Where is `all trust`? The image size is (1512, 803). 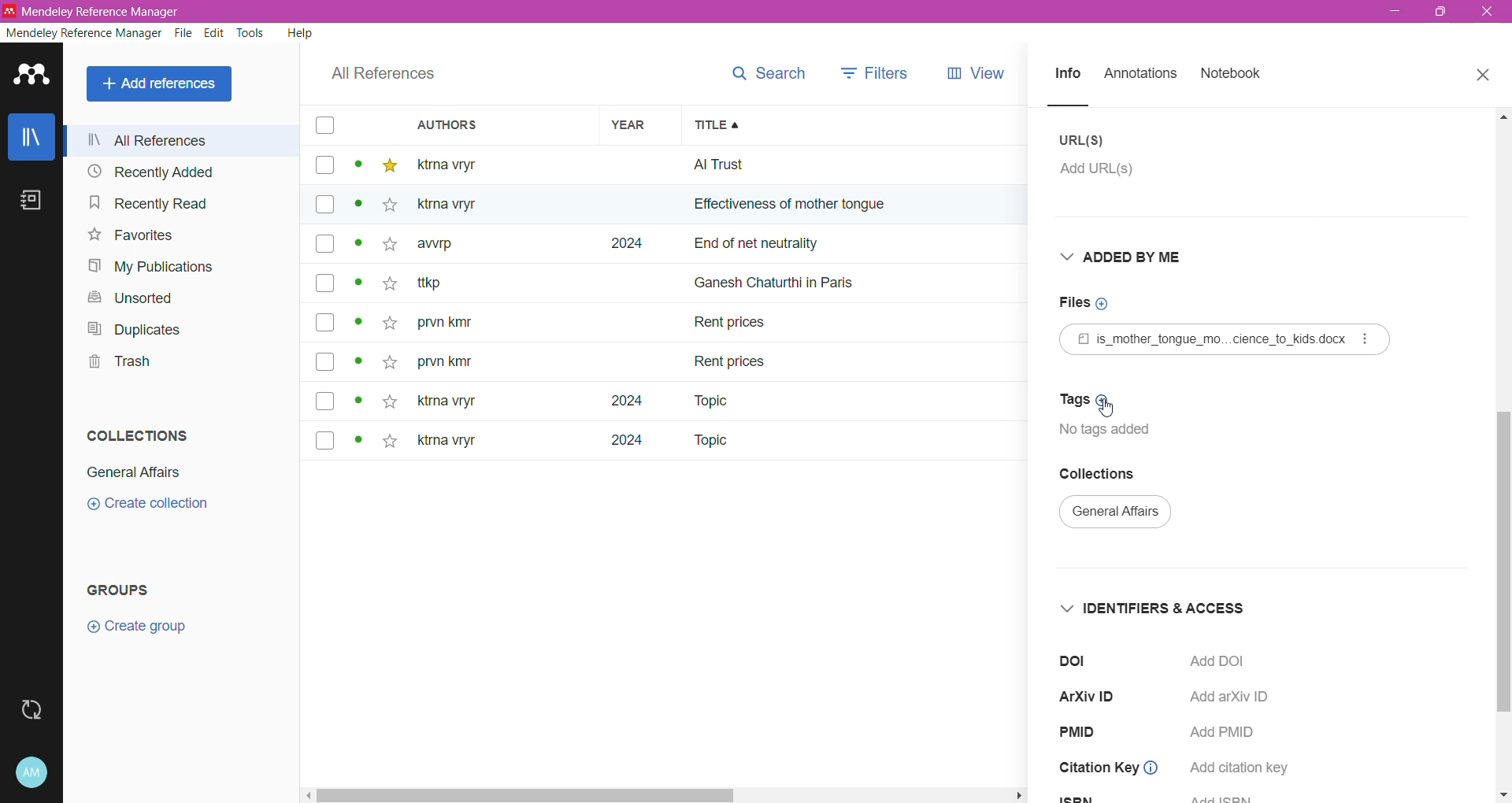
all trust is located at coordinates (803, 165).